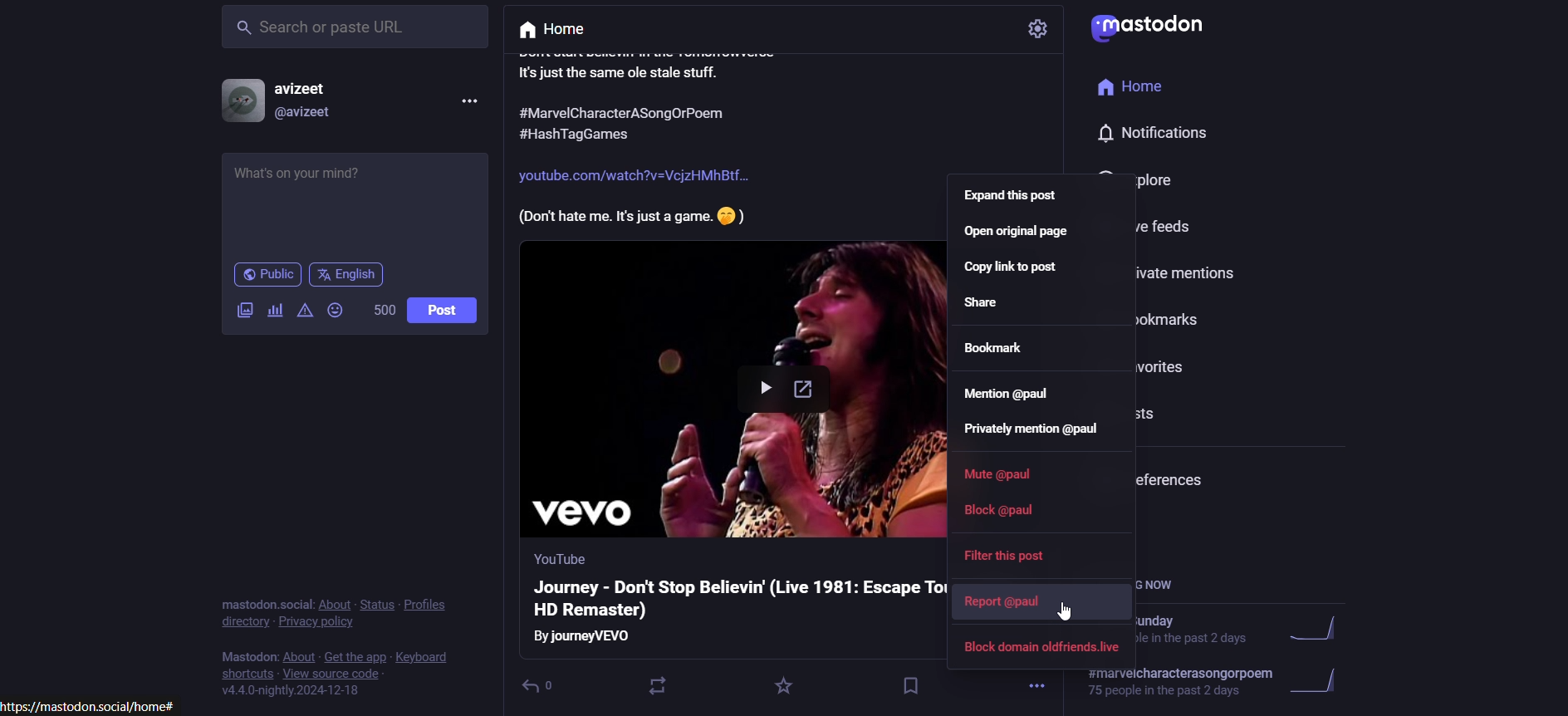 Image resolution: width=1568 pixels, height=716 pixels. I want to click on , so click(1148, 28).